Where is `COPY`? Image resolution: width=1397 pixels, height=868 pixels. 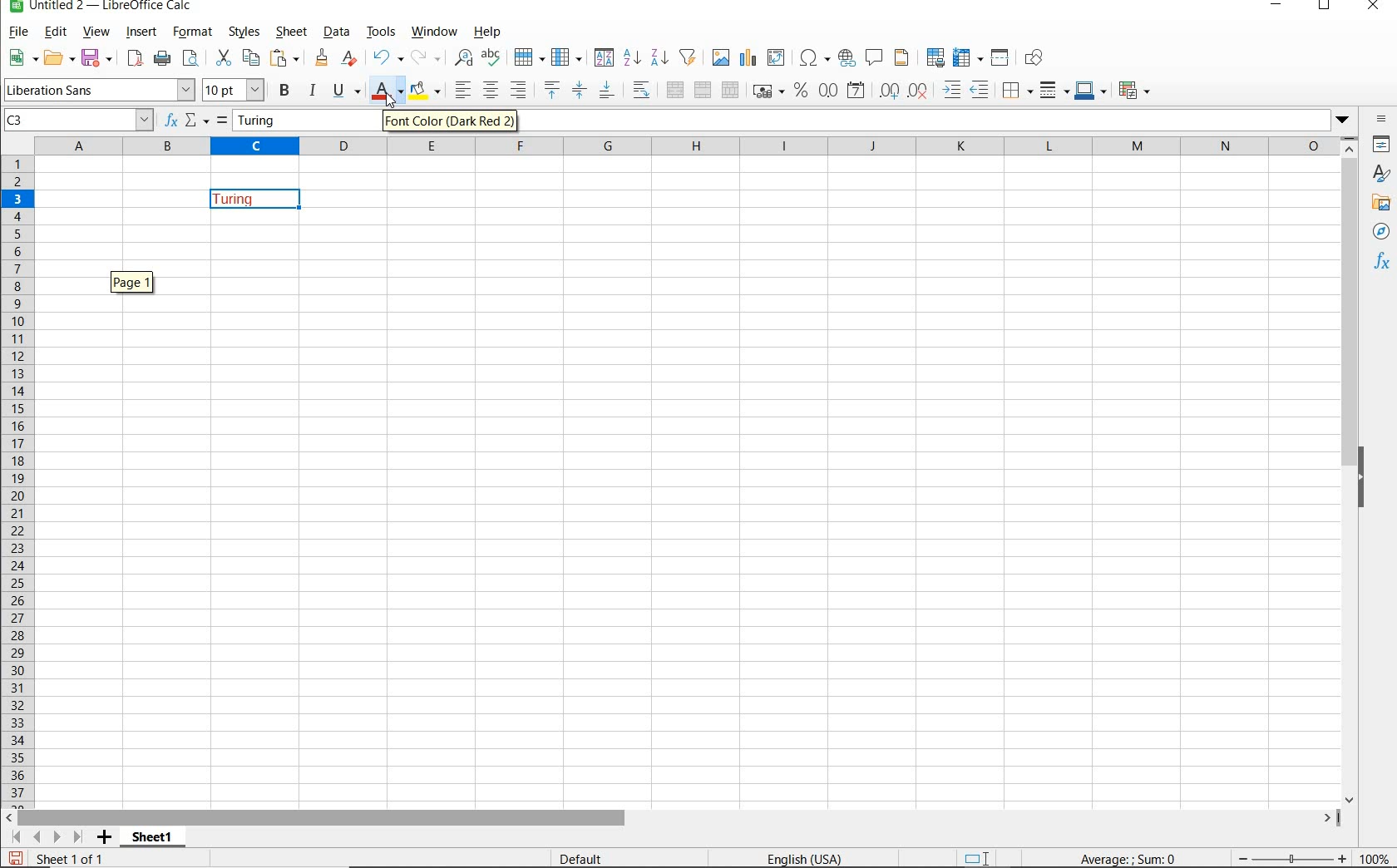 COPY is located at coordinates (254, 59).